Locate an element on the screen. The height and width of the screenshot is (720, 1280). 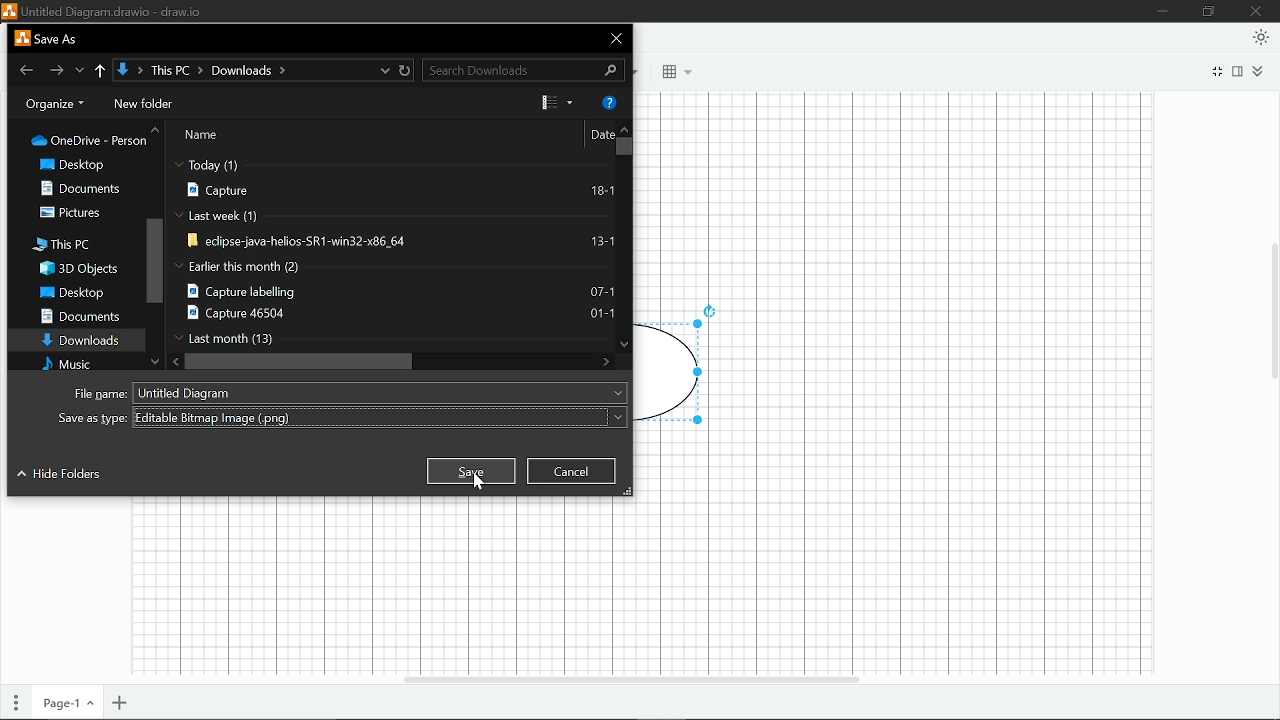
This PC is located at coordinates (69, 244).